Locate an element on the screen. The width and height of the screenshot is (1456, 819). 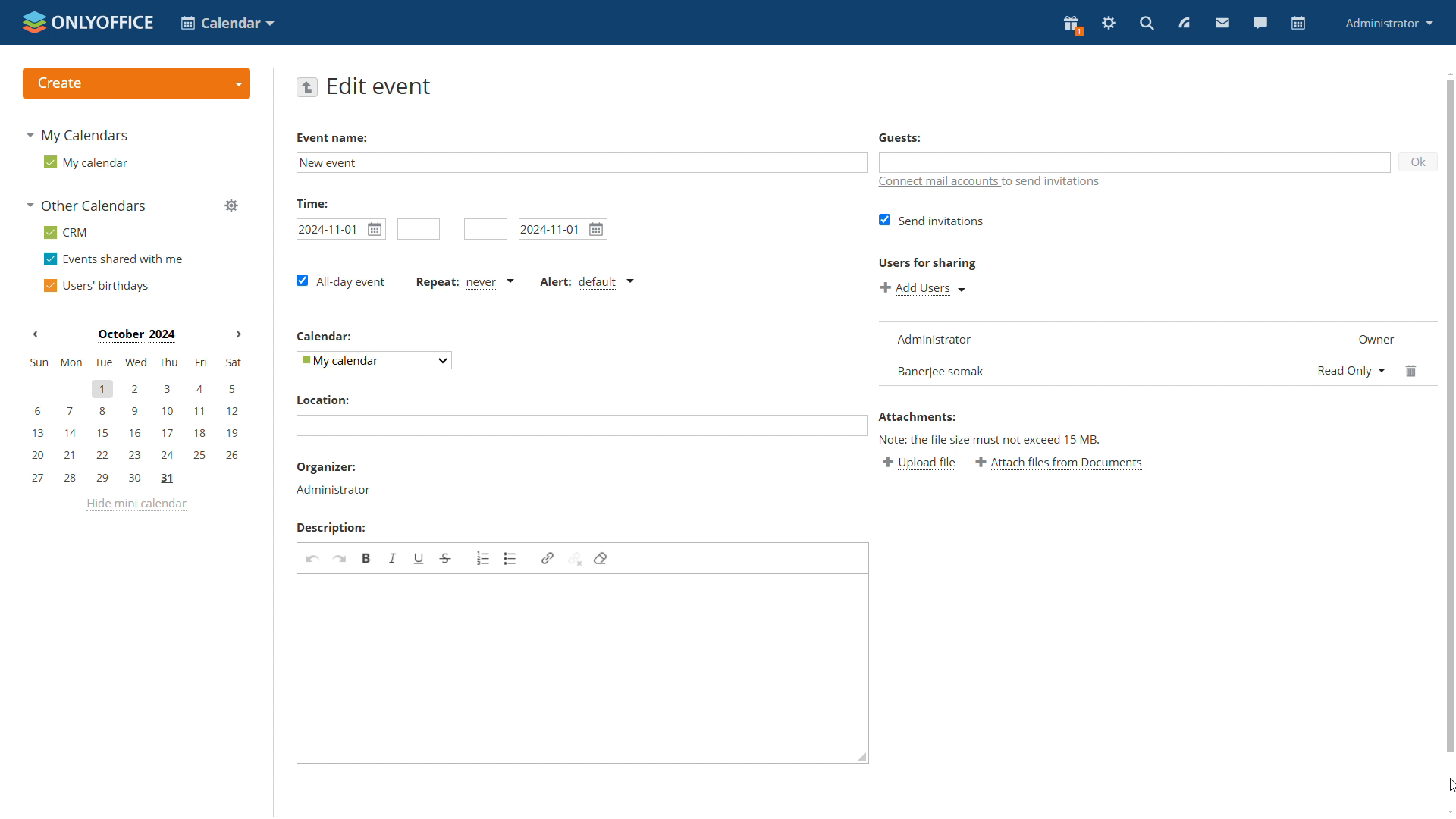
edit event name is located at coordinates (582, 165).